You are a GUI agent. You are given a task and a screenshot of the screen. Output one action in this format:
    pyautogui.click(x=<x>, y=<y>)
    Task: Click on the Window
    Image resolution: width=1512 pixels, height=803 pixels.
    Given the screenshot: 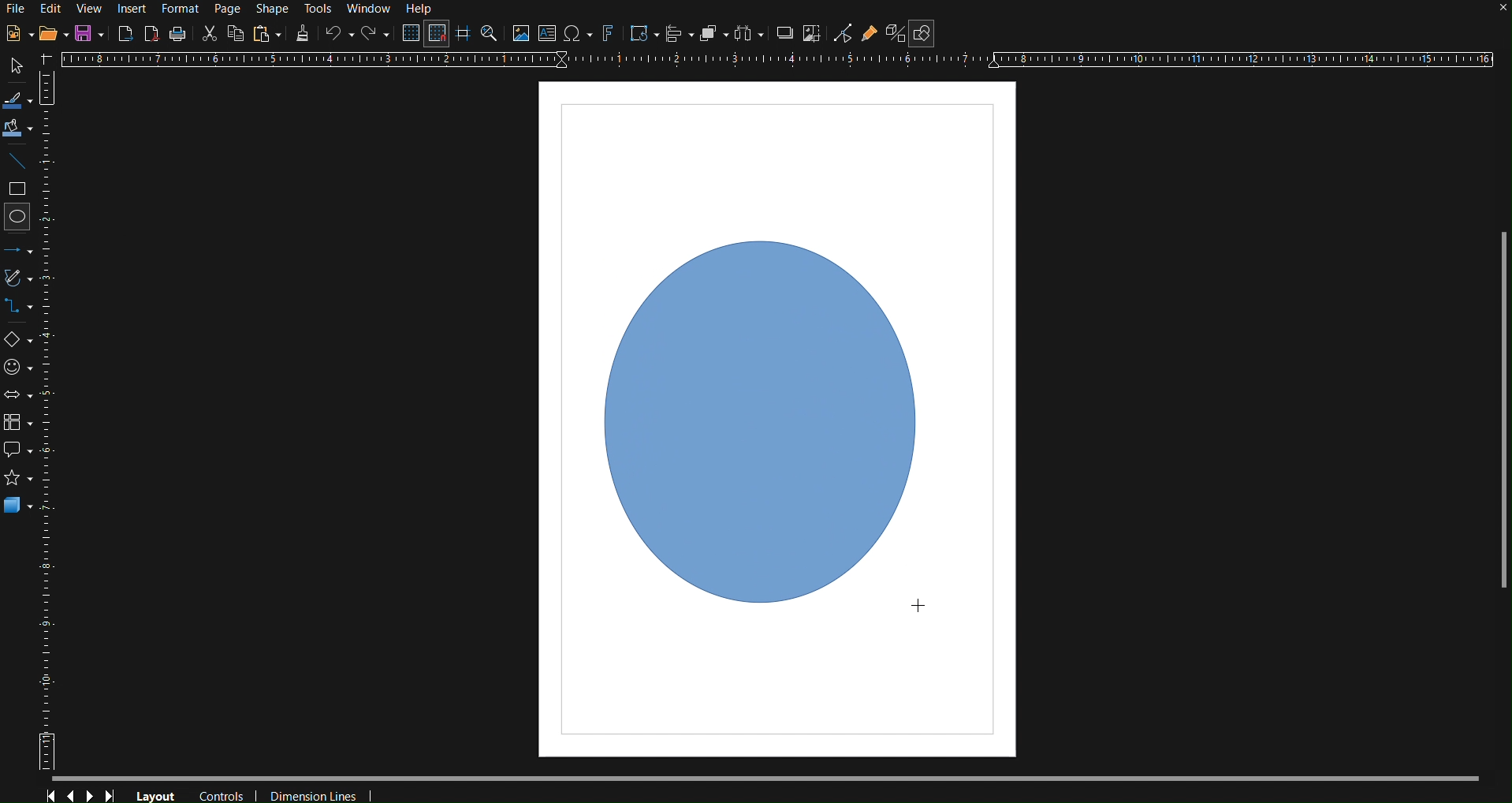 What is the action you would take?
    pyautogui.click(x=372, y=10)
    